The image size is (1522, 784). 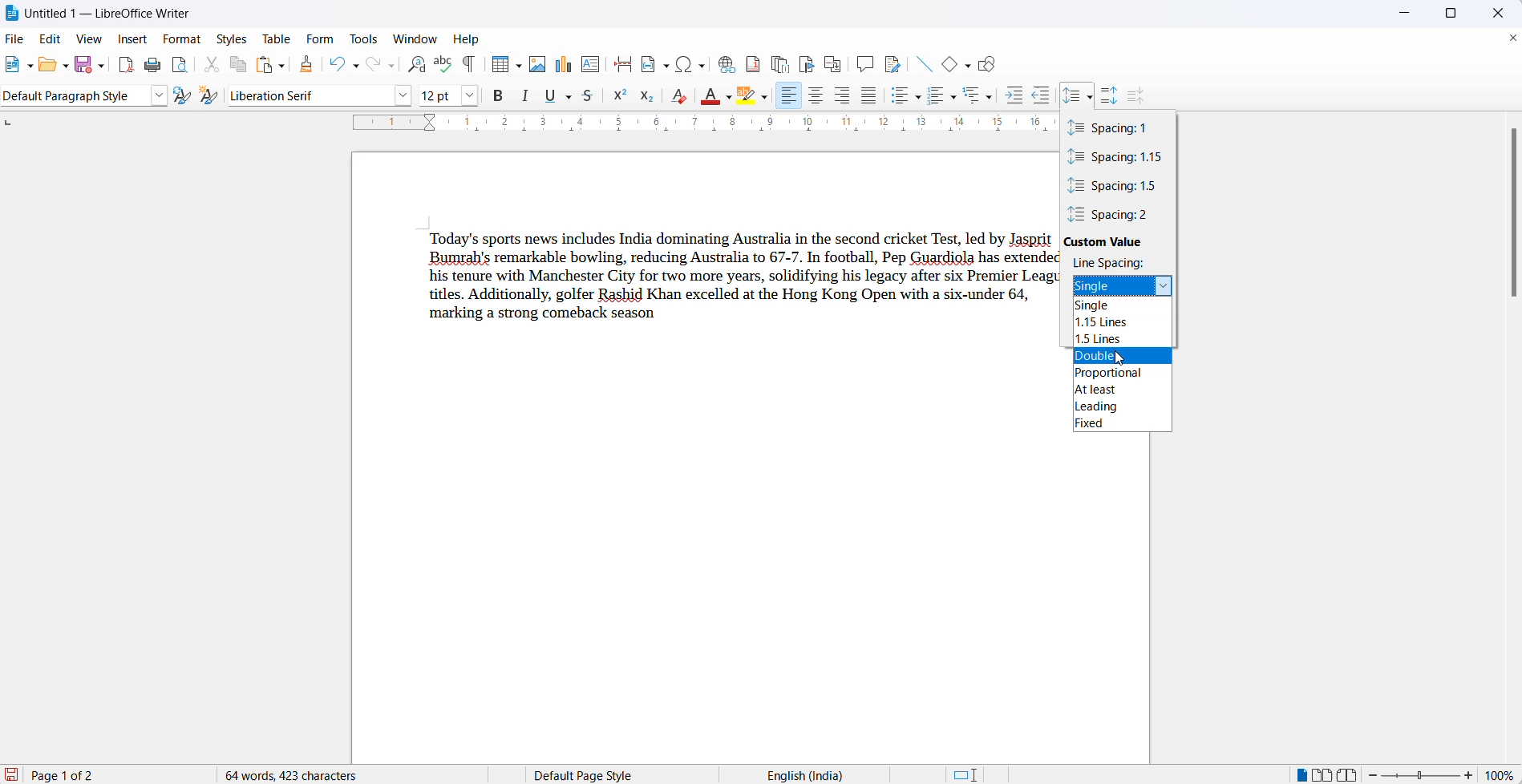 What do you see at coordinates (209, 95) in the screenshot?
I see `new style from selections` at bounding box center [209, 95].